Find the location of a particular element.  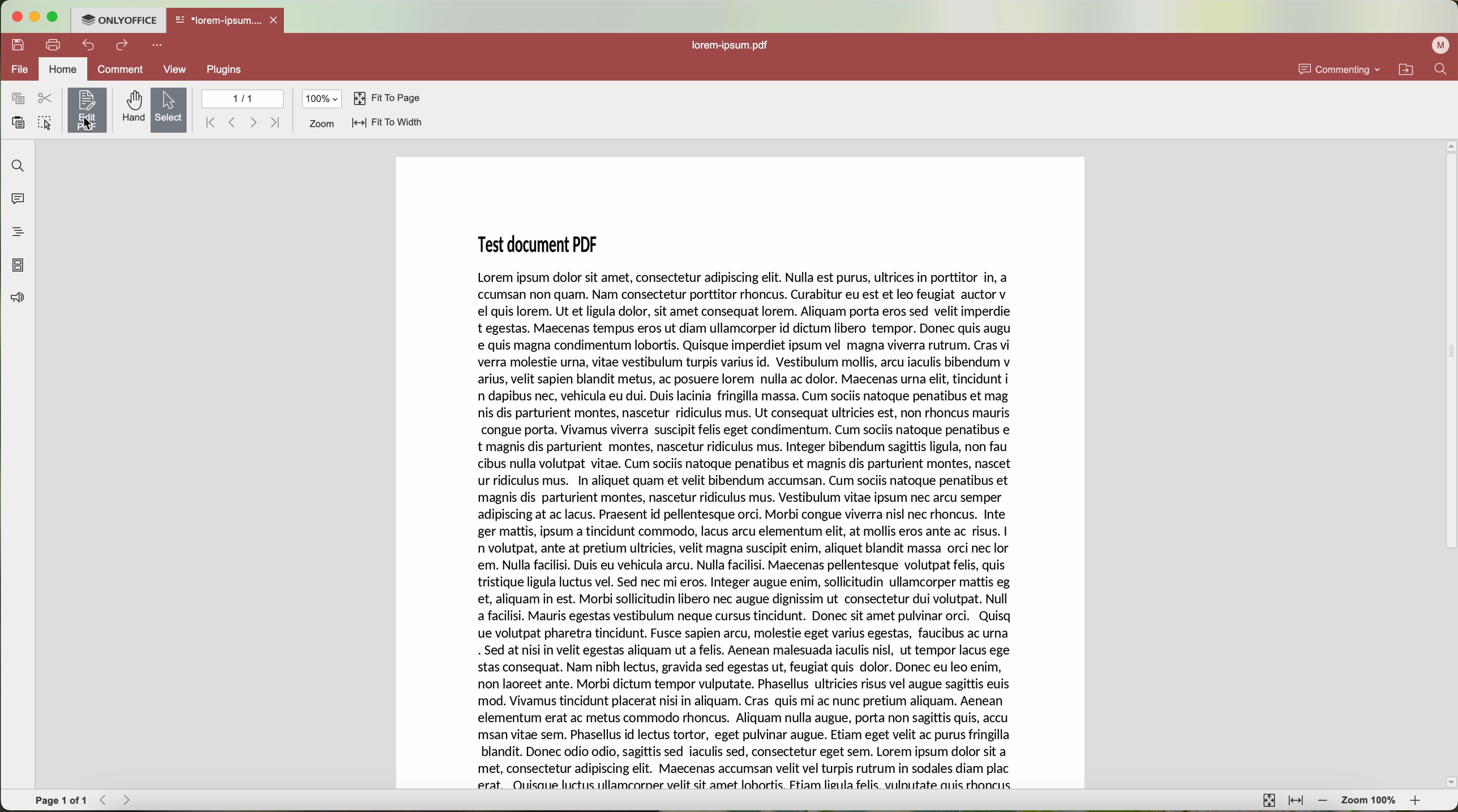

comment is located at coordinates (122, 69).